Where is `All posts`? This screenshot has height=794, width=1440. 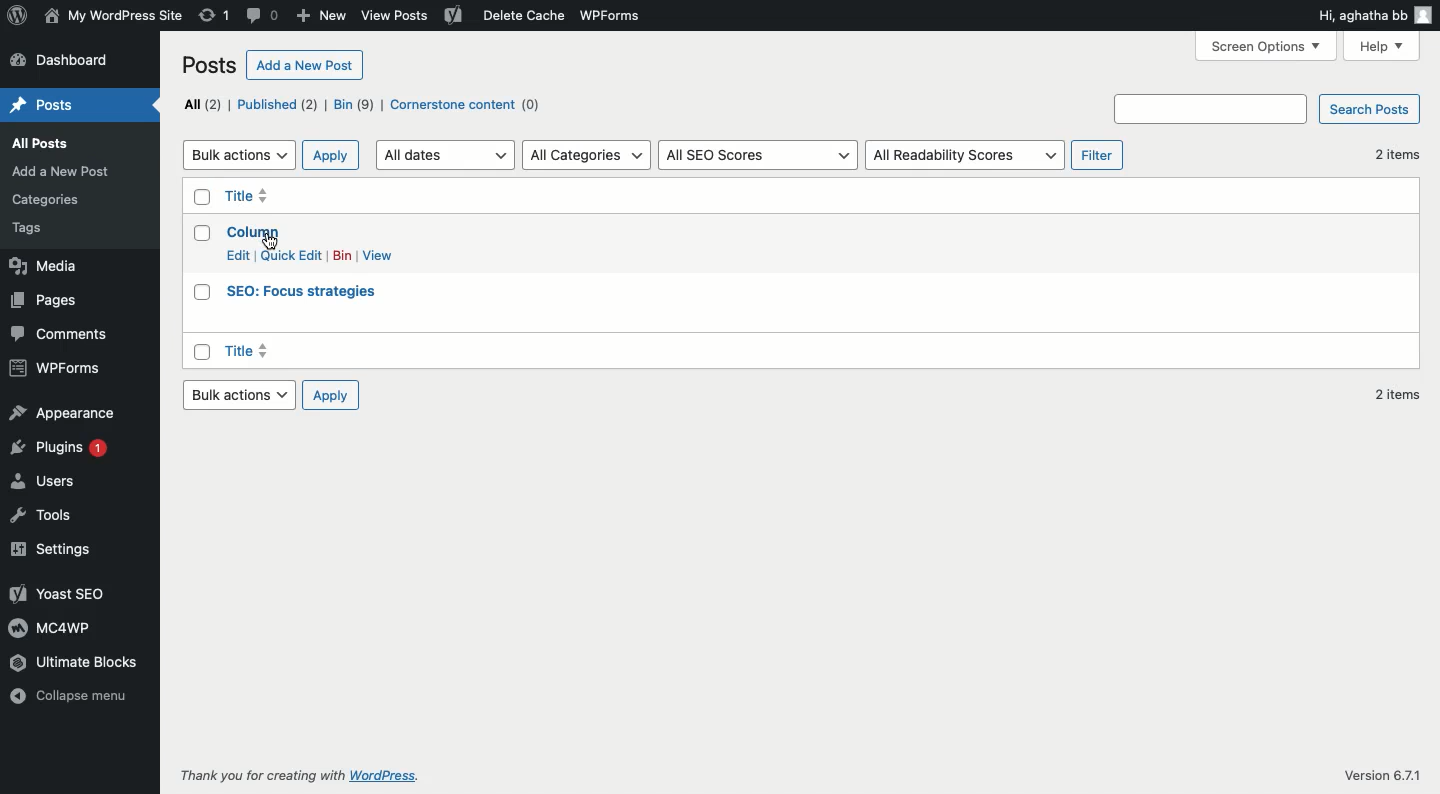
All posts is located at coordinates (46, 145).